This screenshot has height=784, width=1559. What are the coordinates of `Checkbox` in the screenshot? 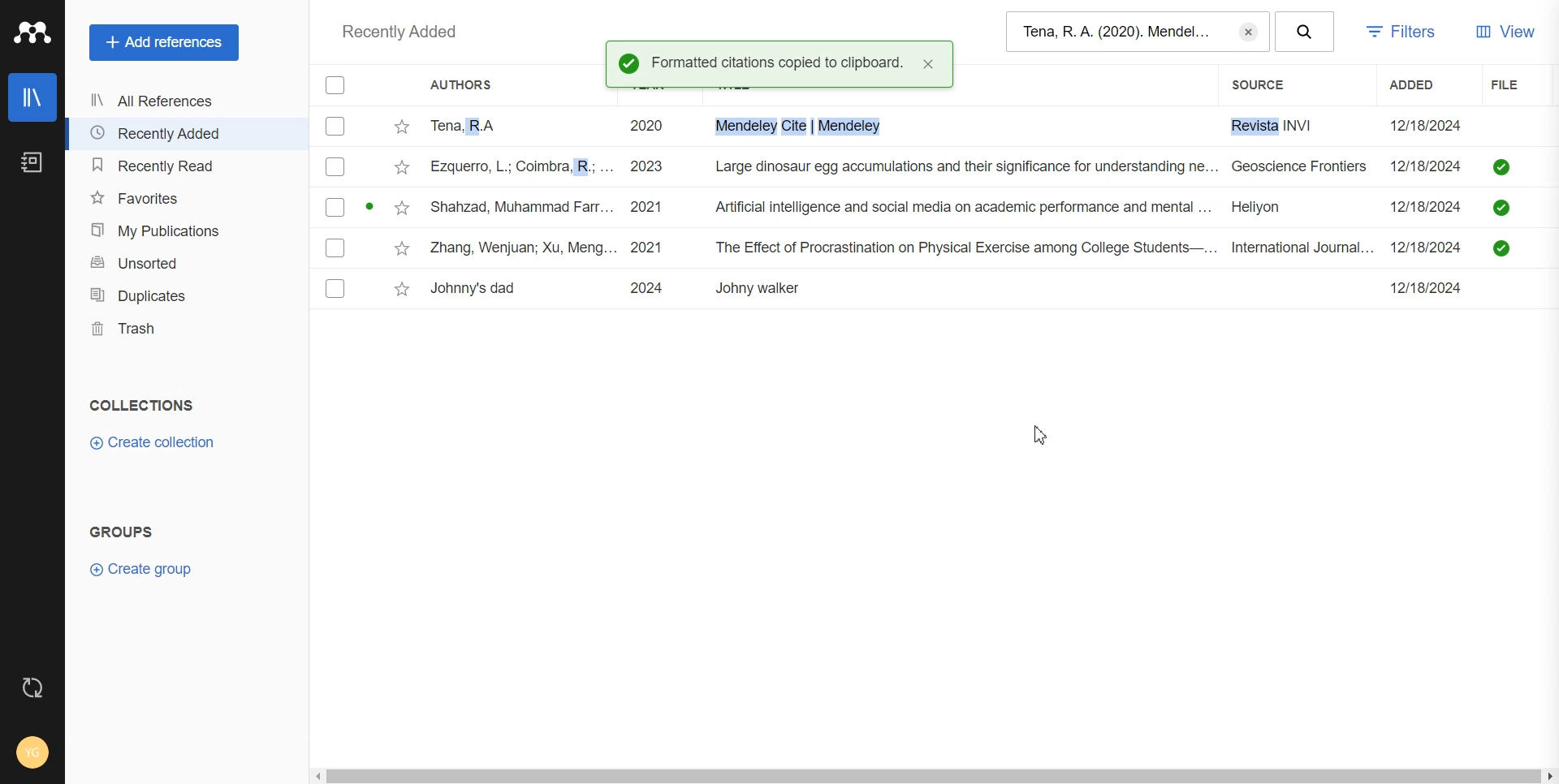 It's located at (336, 126).